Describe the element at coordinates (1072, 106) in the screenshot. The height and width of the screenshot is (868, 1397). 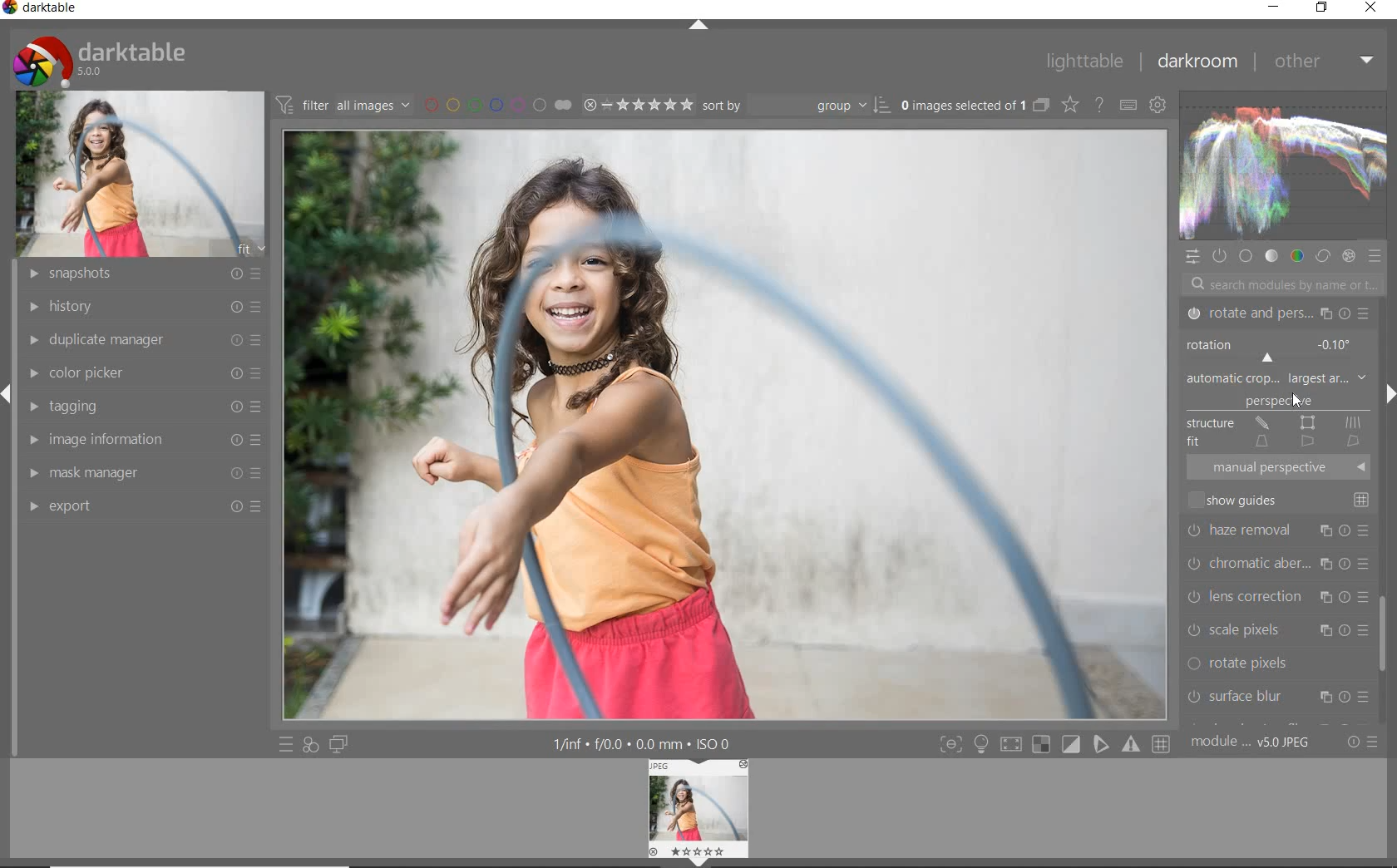
I see `change type of overlay` at that location.